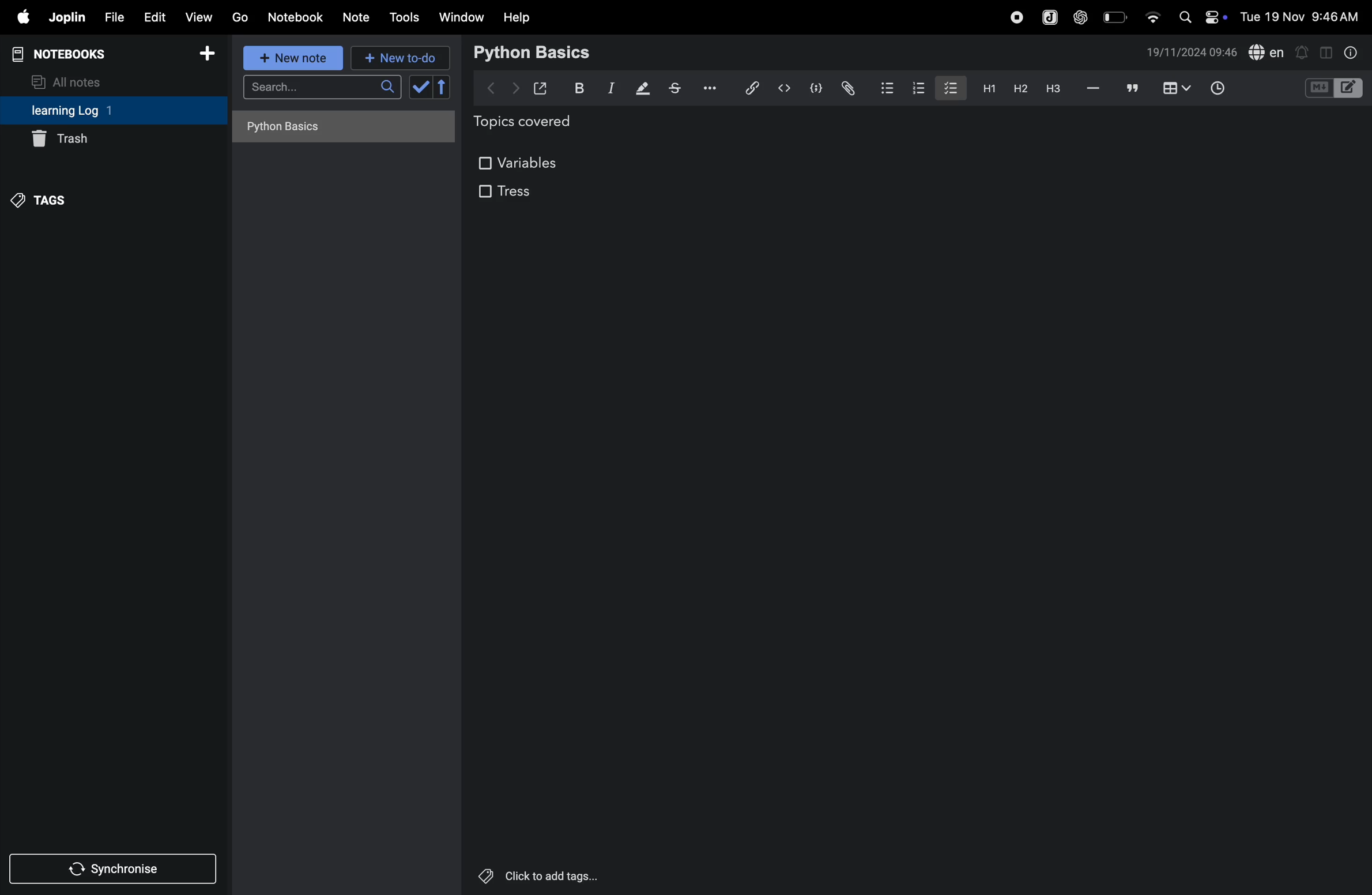 This screenshot has height=895, width=1372. I want to click on new to do, so click(395, 55).